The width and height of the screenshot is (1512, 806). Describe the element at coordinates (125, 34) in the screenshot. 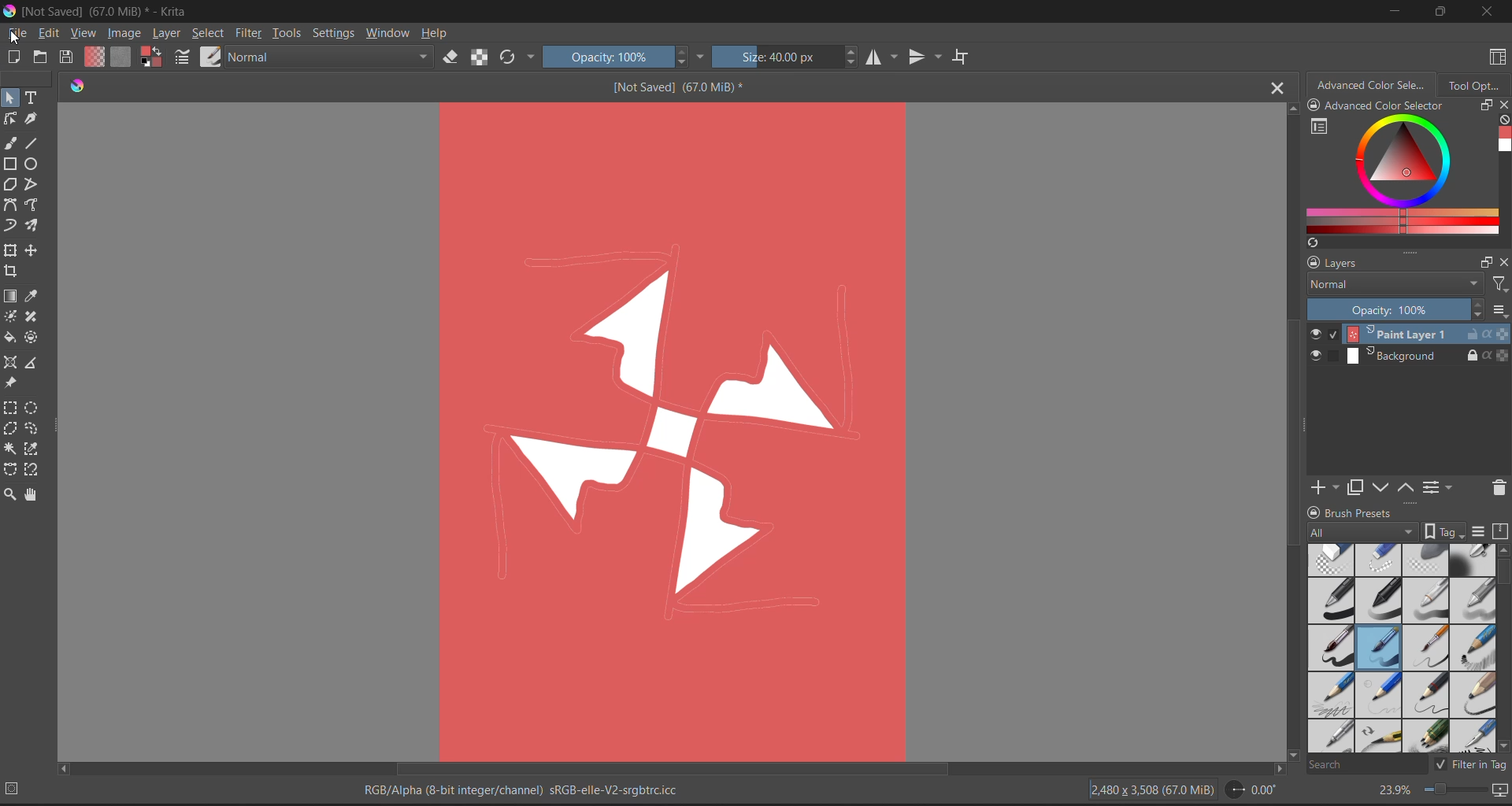

I see `image` at that location.